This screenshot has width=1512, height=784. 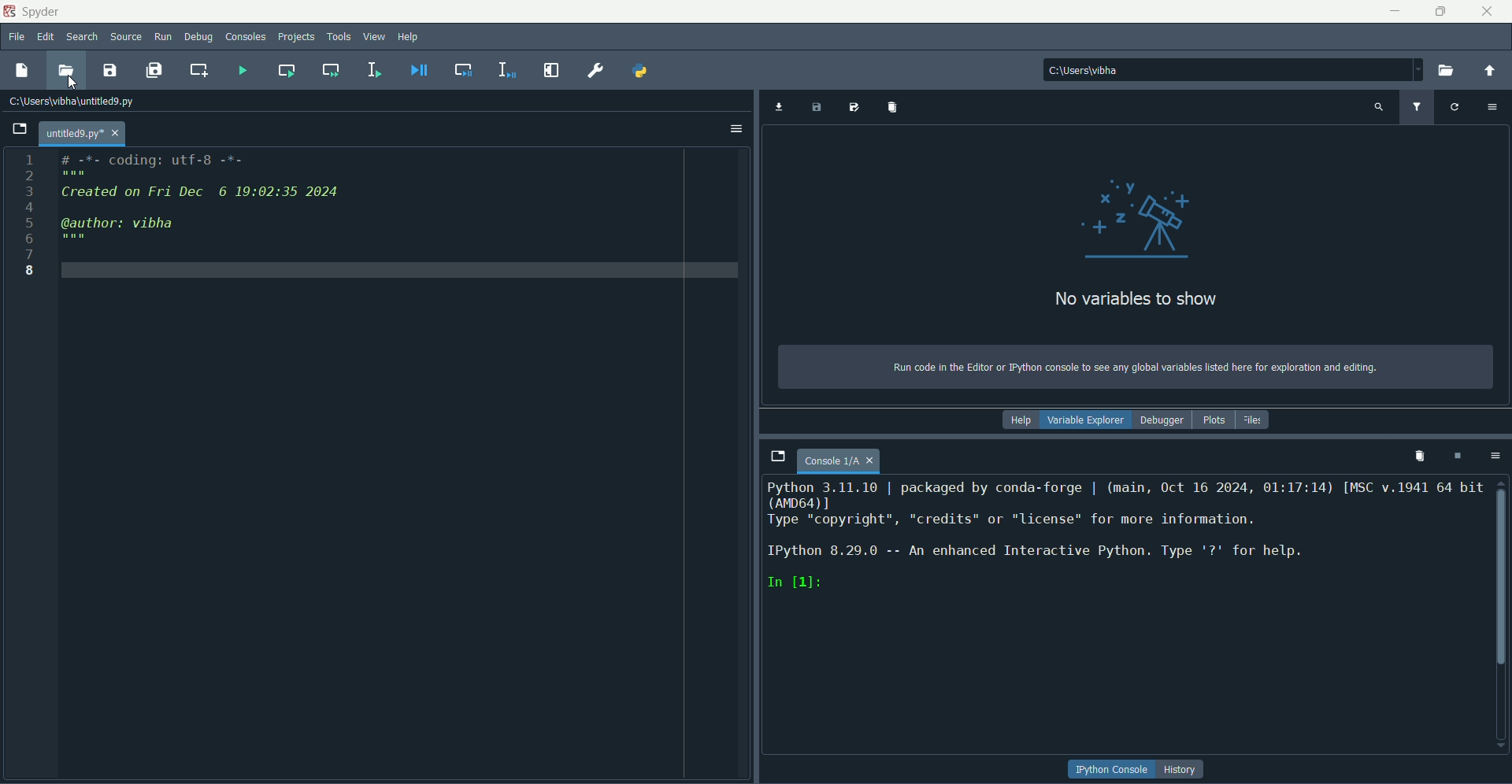 What do you see at coordinates (596, 72) in the screenshot?
I see `preferences` at bounding box center [596, 72].